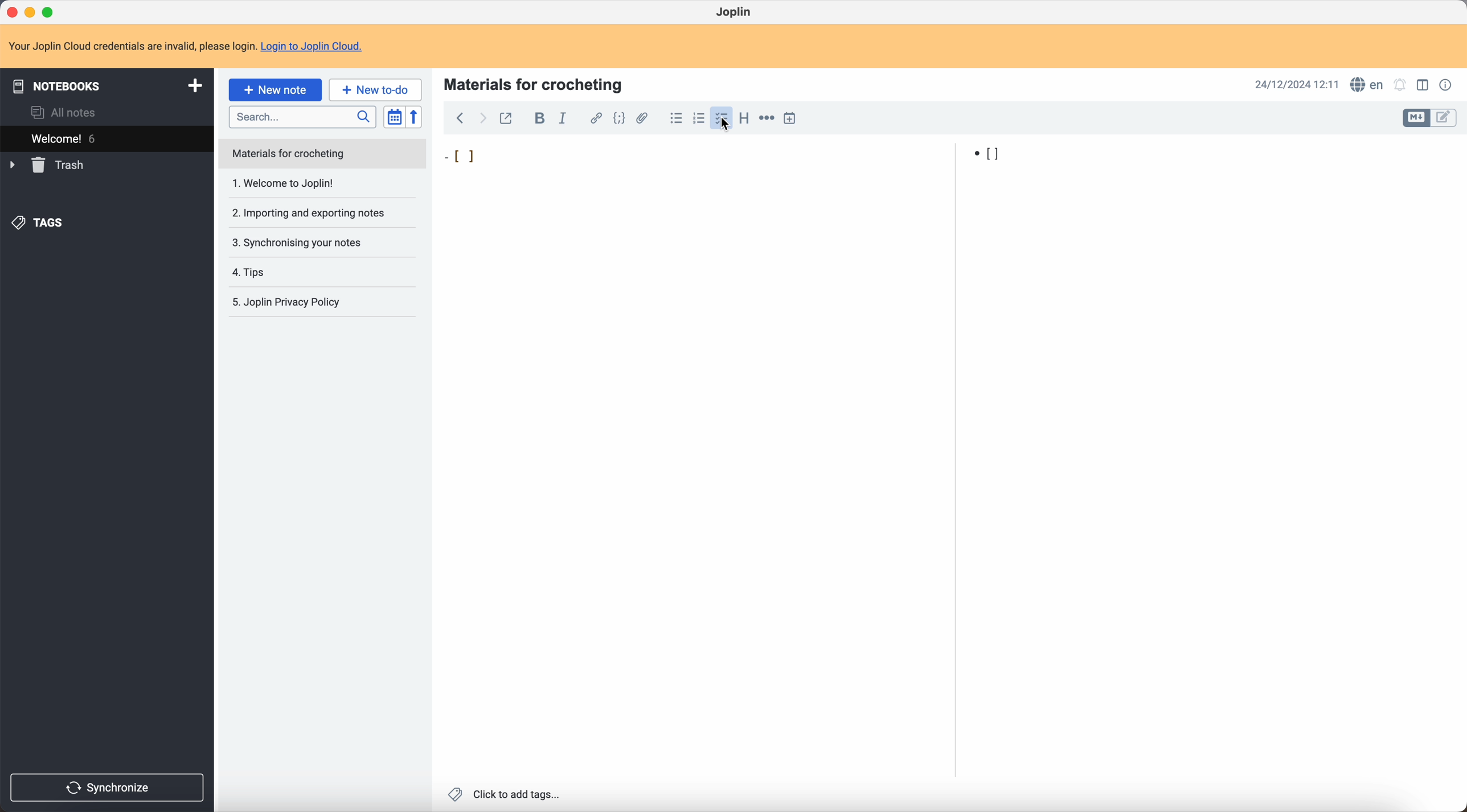  I want to click on toggle edit layout, so click(1445, 117).